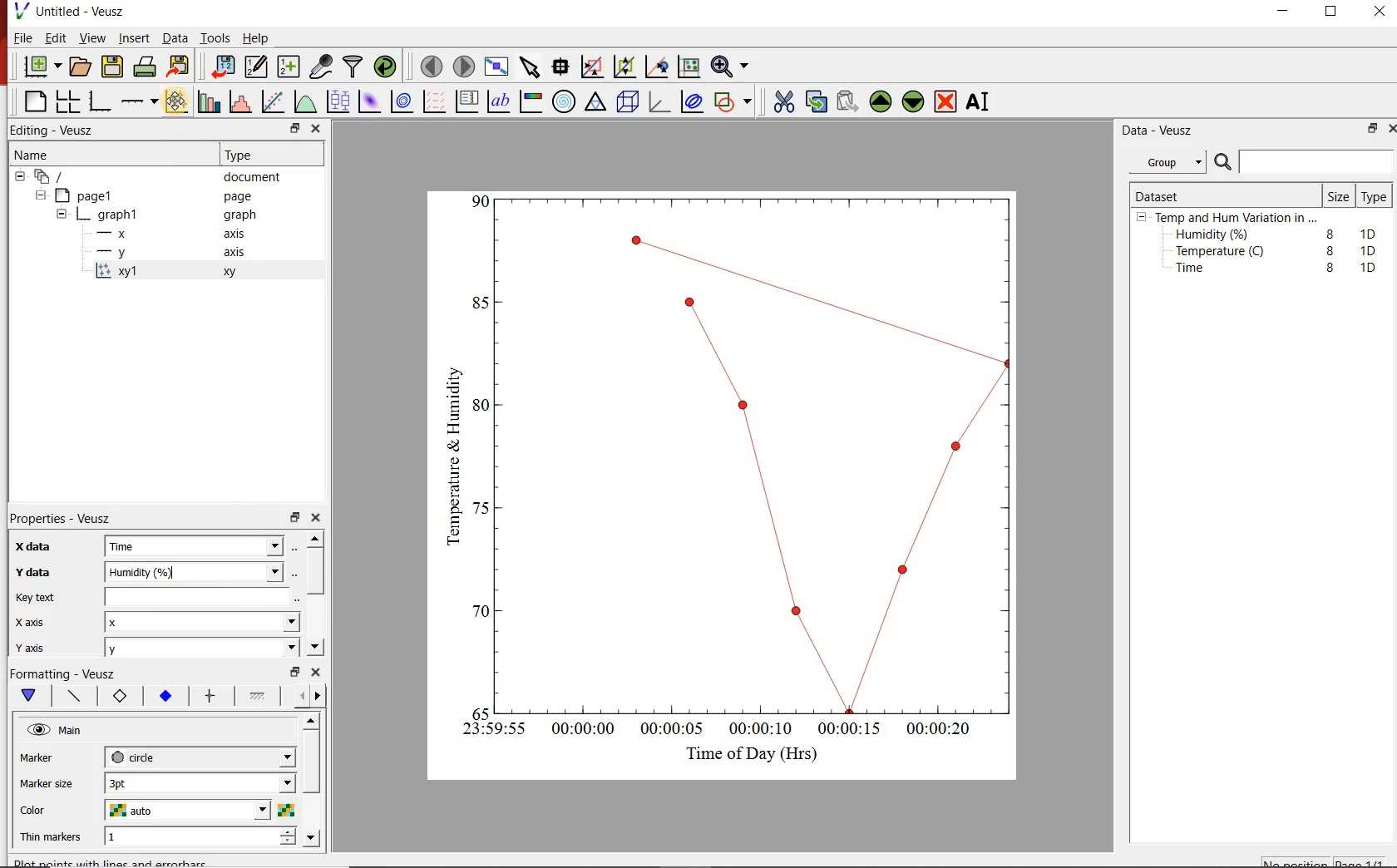 Image resolution: width=1397 pixels, height=868 pixels. I want to click on Marker, so click(49, 759).